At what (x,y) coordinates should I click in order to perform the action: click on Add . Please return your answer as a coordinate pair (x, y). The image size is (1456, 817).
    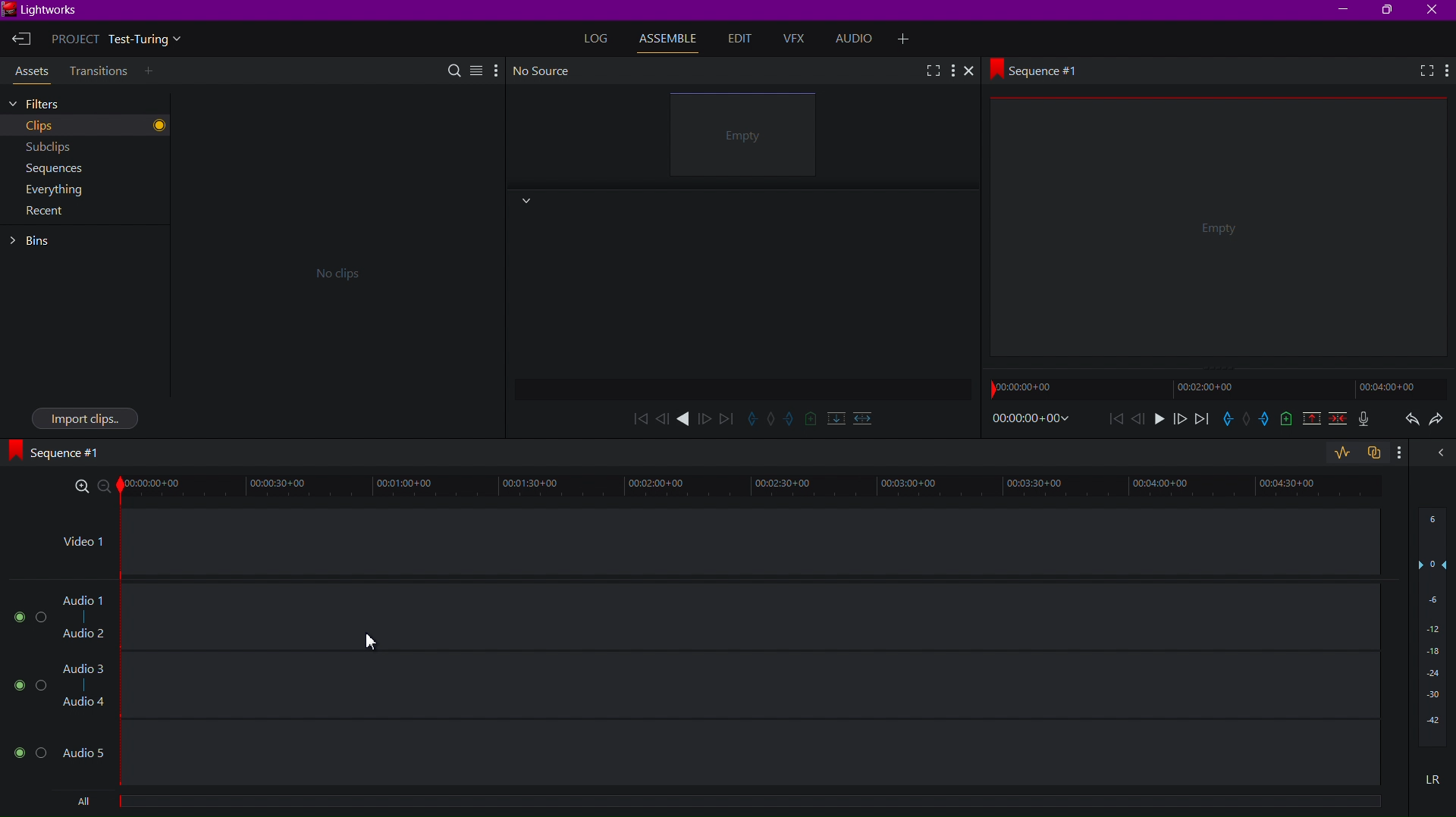
    Looking at the image, I should click on (912, 37).